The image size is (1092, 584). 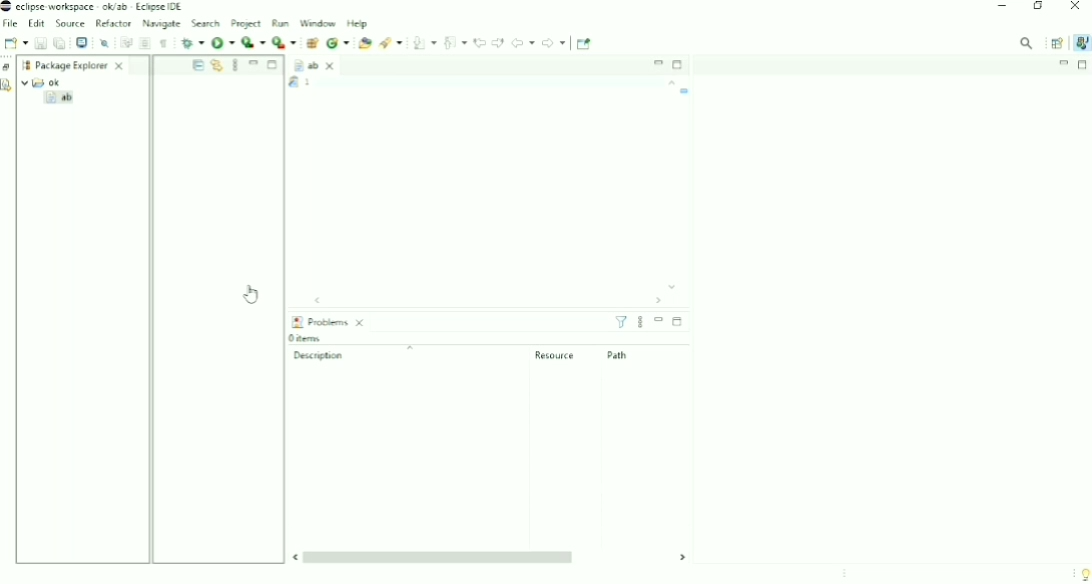 I want to click on Save All, so click(x=59, y=43).